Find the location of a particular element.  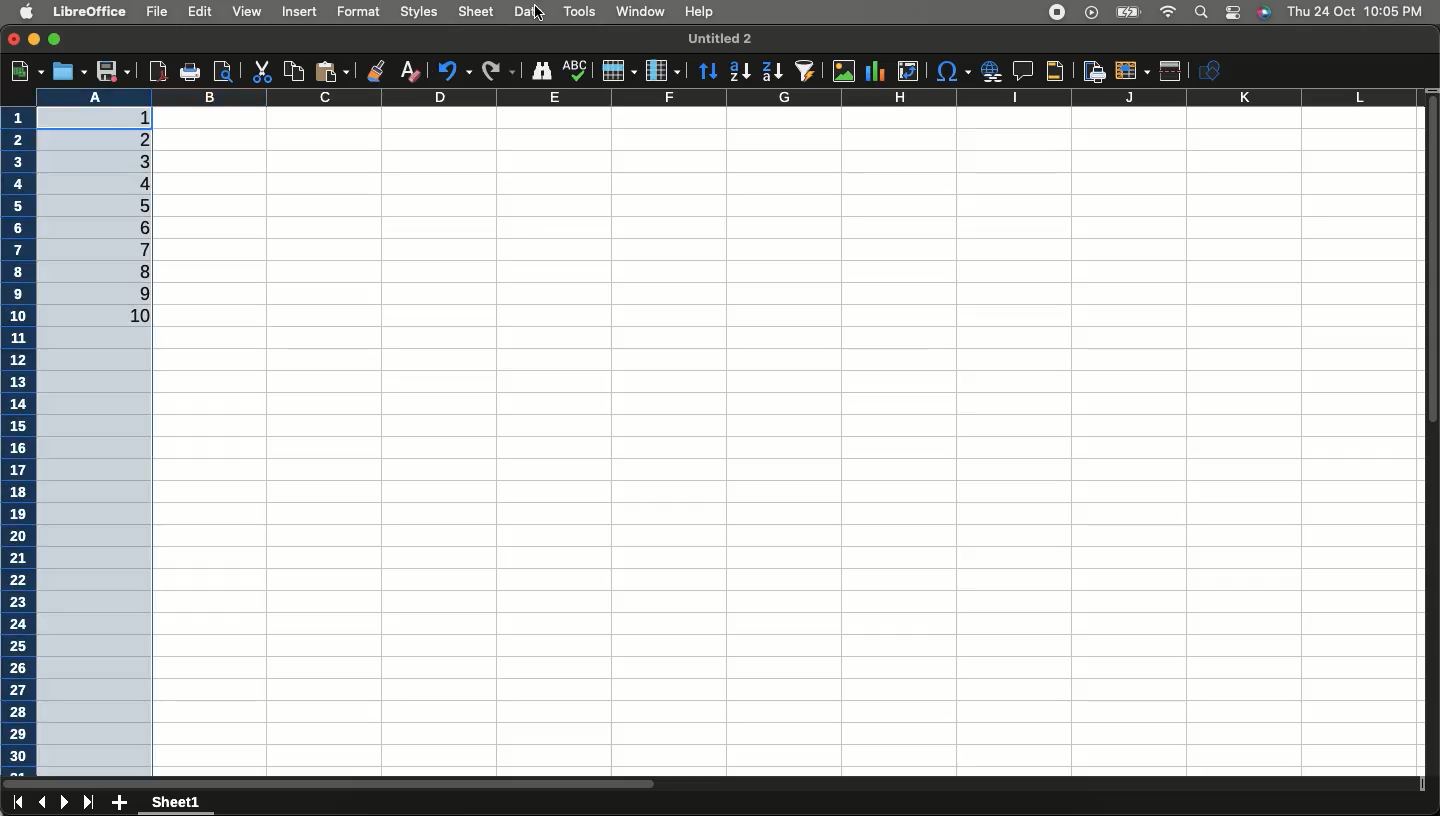

Help is located at coordinates (700, 13).